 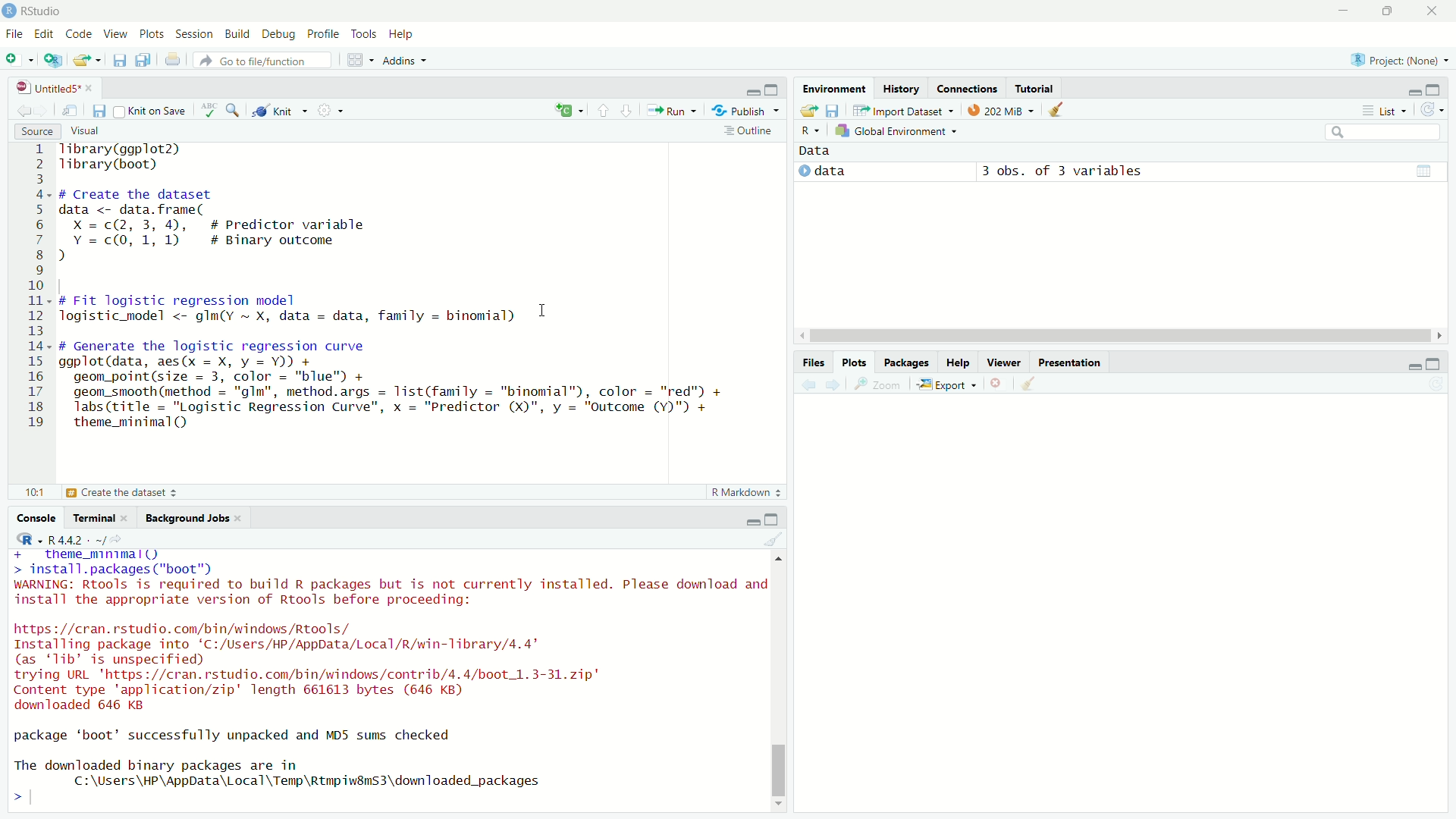 I want to click on Open an existing file, so click(x=80, y=61).